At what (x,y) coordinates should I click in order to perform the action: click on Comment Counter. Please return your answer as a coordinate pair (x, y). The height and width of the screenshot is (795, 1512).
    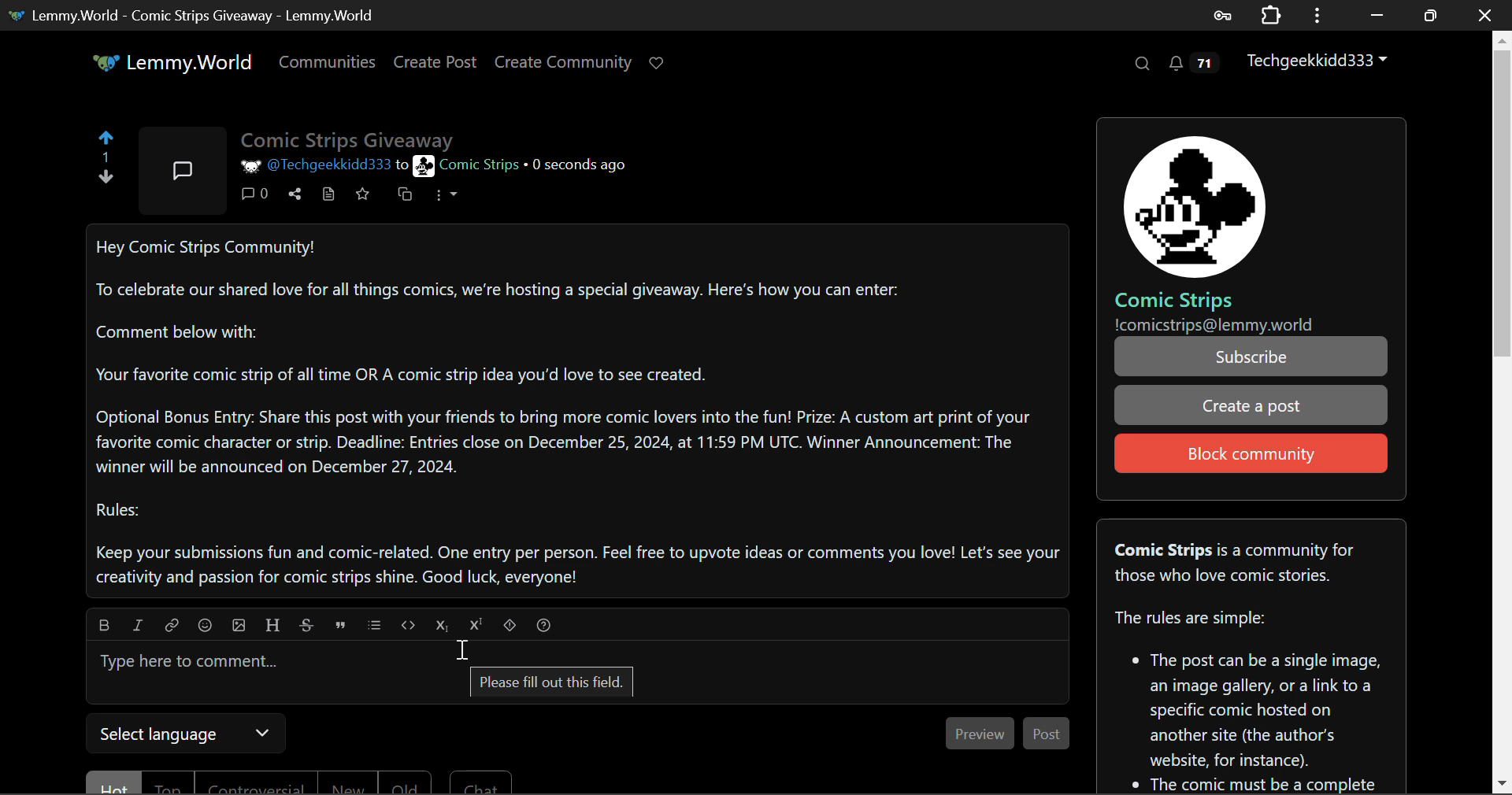
    Looking at the image, I should click on (256, 198).